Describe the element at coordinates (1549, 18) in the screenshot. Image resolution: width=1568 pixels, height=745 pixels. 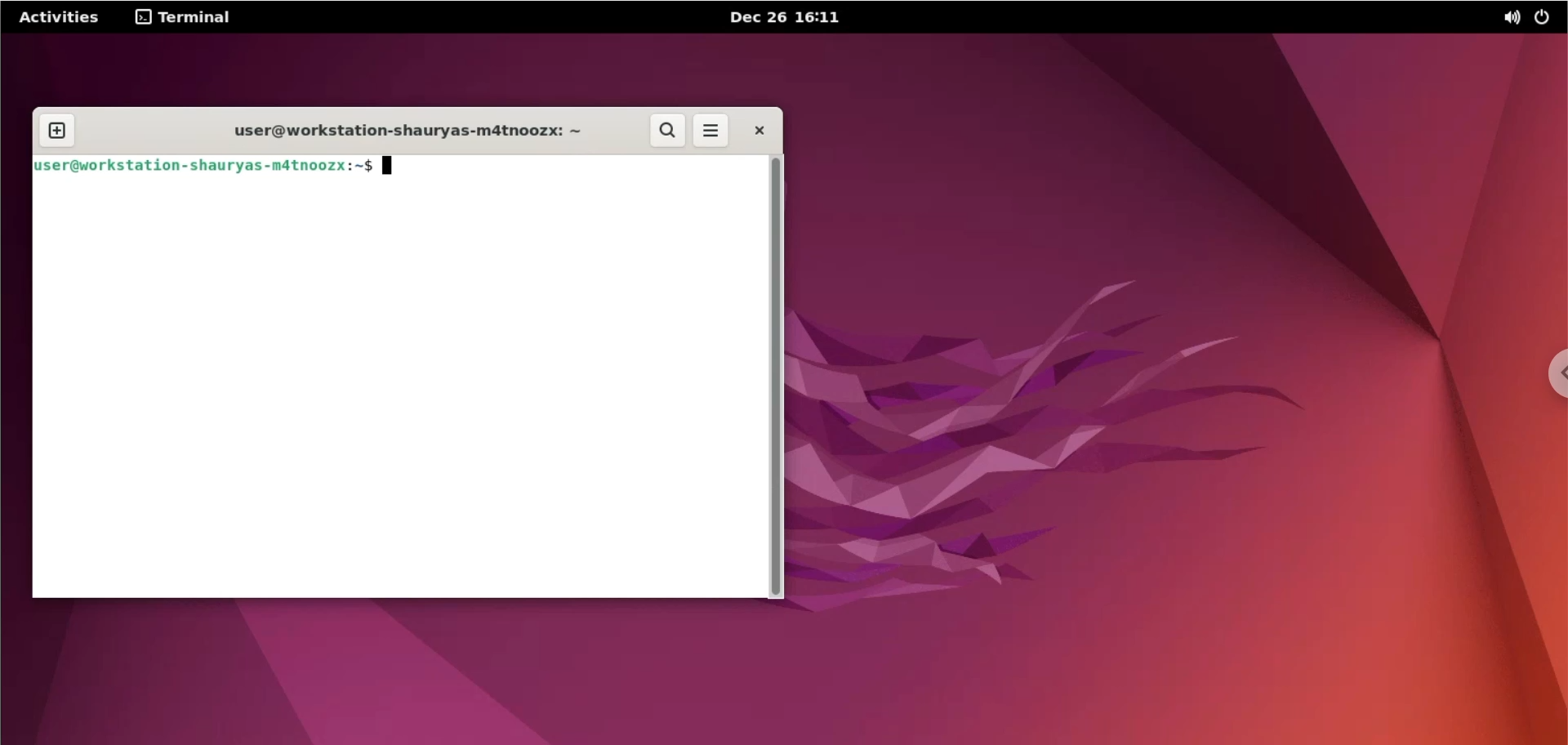
I see `power options` at that location.